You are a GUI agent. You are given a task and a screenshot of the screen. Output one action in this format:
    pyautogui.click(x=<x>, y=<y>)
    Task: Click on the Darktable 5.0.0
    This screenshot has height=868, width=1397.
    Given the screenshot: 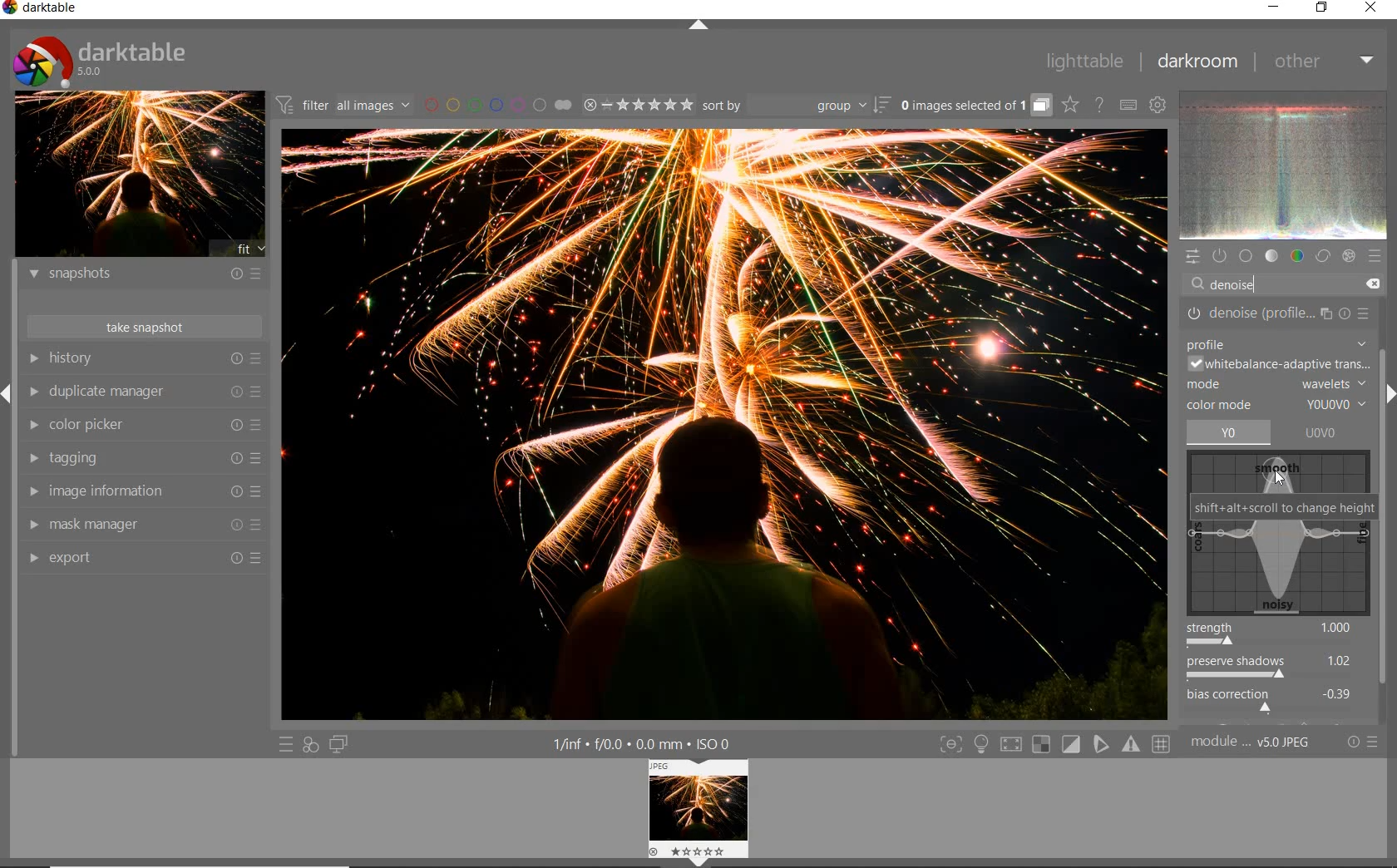 What is the action you would take?
    pyautogui.click(x=99, y=61)
    